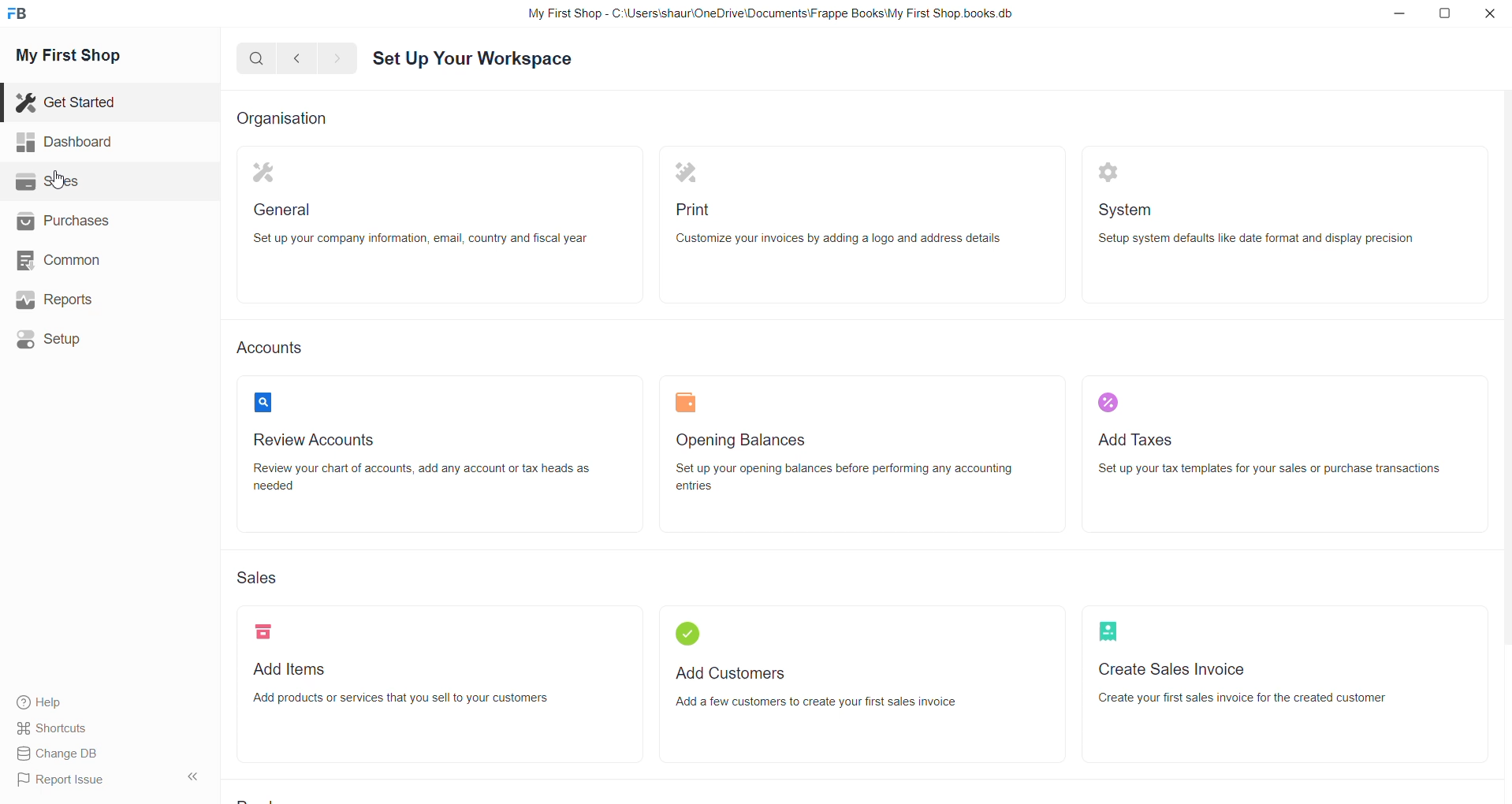 The height and width of the screenshot is (804, 1512). Describe the element at coordinates (21, 17) in the screenshot. I see `frappe book Logo` at that location.